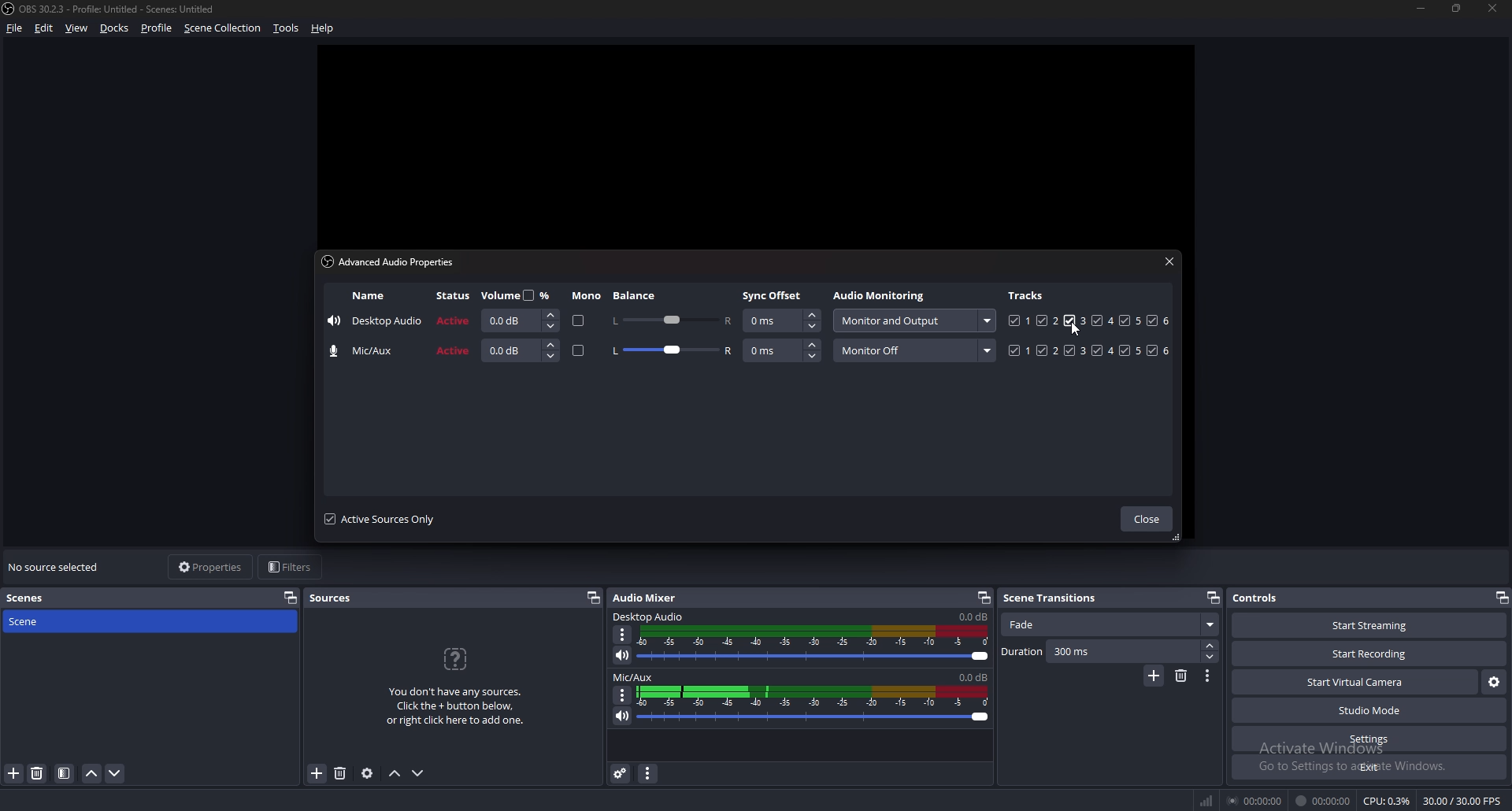  Describe the element at coordinates (461, 687) in the screenshot. I see `You don't have any sources.
Click the + button below,
or right click here to add one.` at that location.